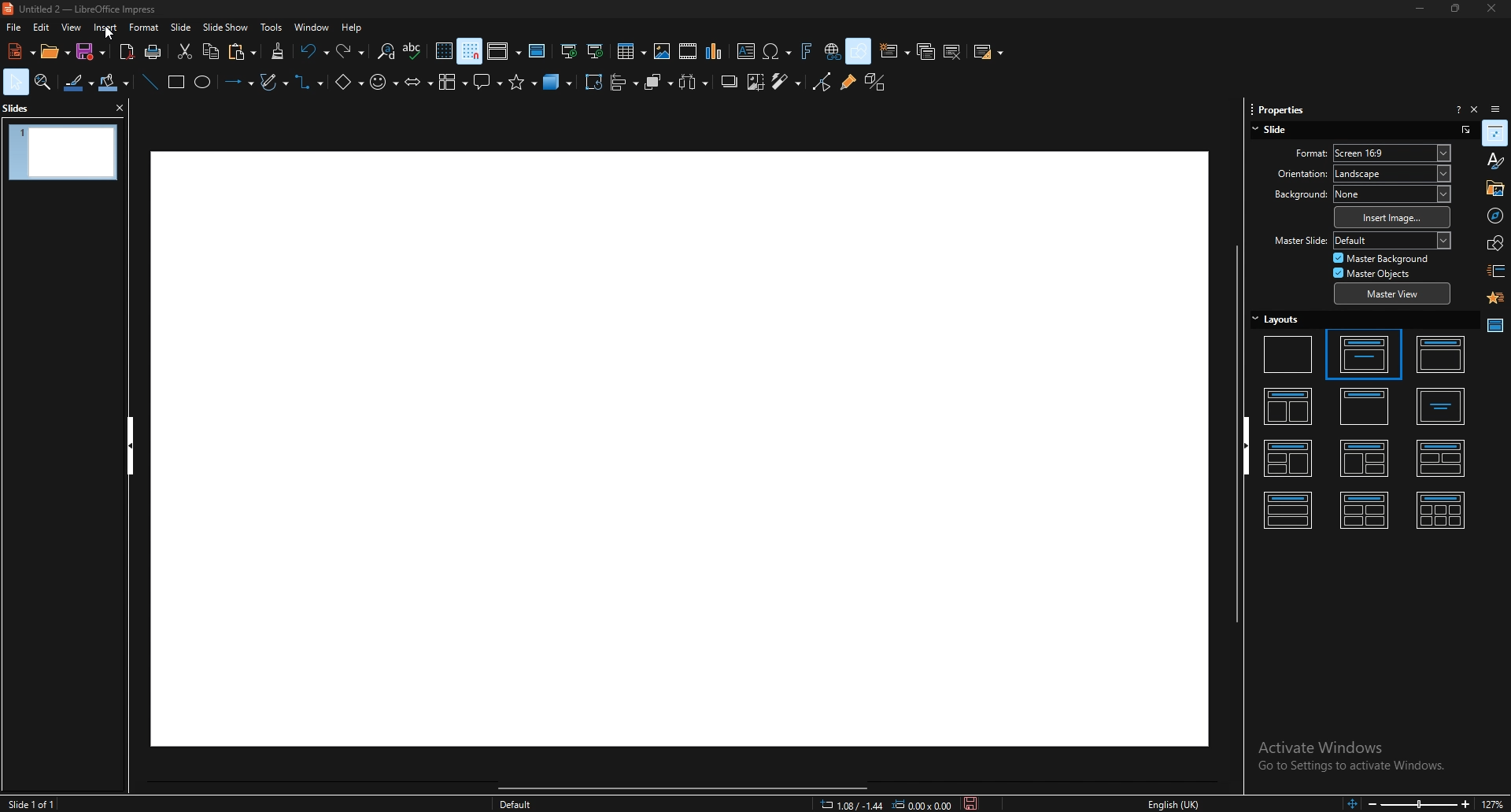  What do you see at coordinates (78, 83) in the screenshot?
I see `line color` at bounding box center [78, 83].